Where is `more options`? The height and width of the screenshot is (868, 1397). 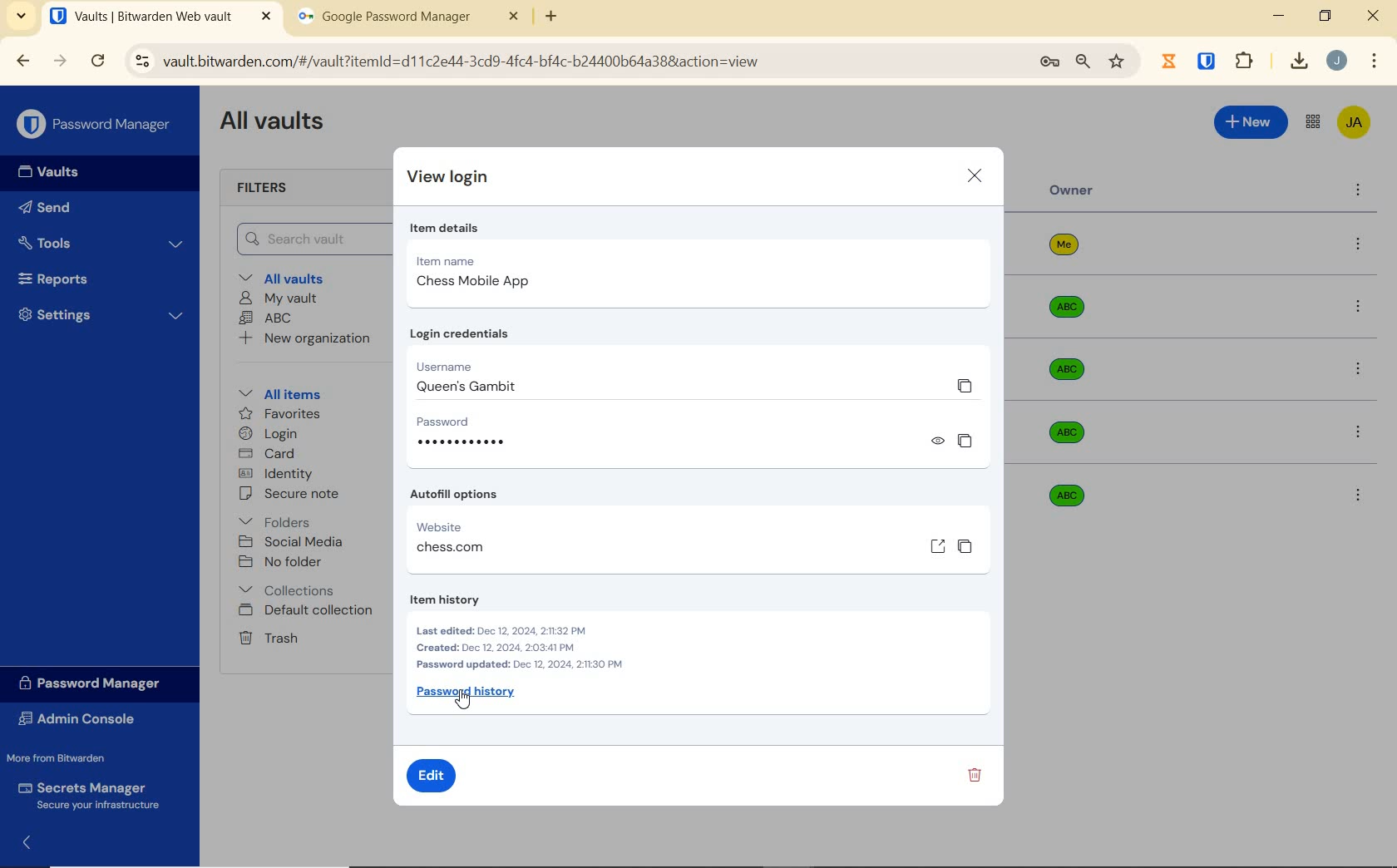 more options is located at coordinates (1359, 187).